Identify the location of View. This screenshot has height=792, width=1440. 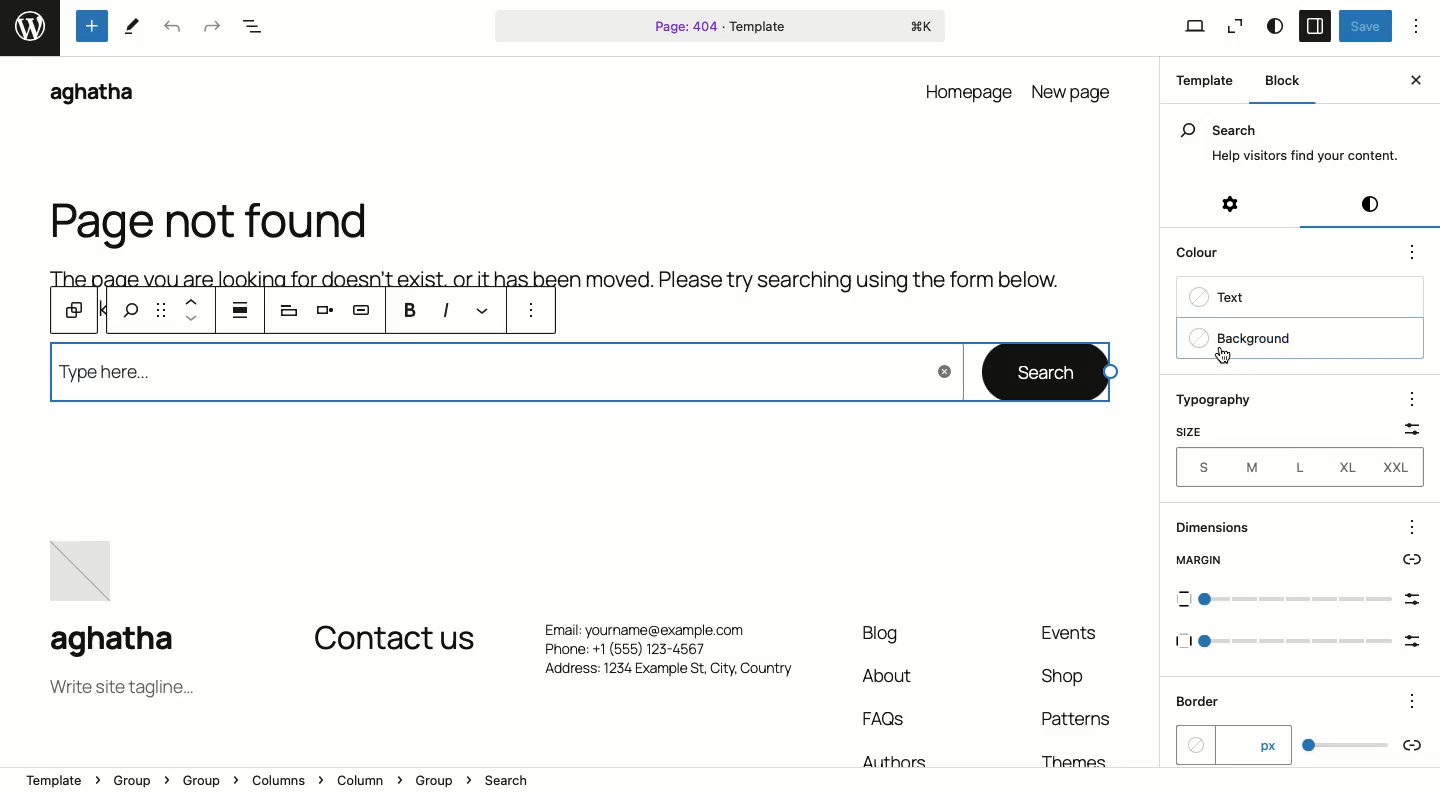
(1184, 25).